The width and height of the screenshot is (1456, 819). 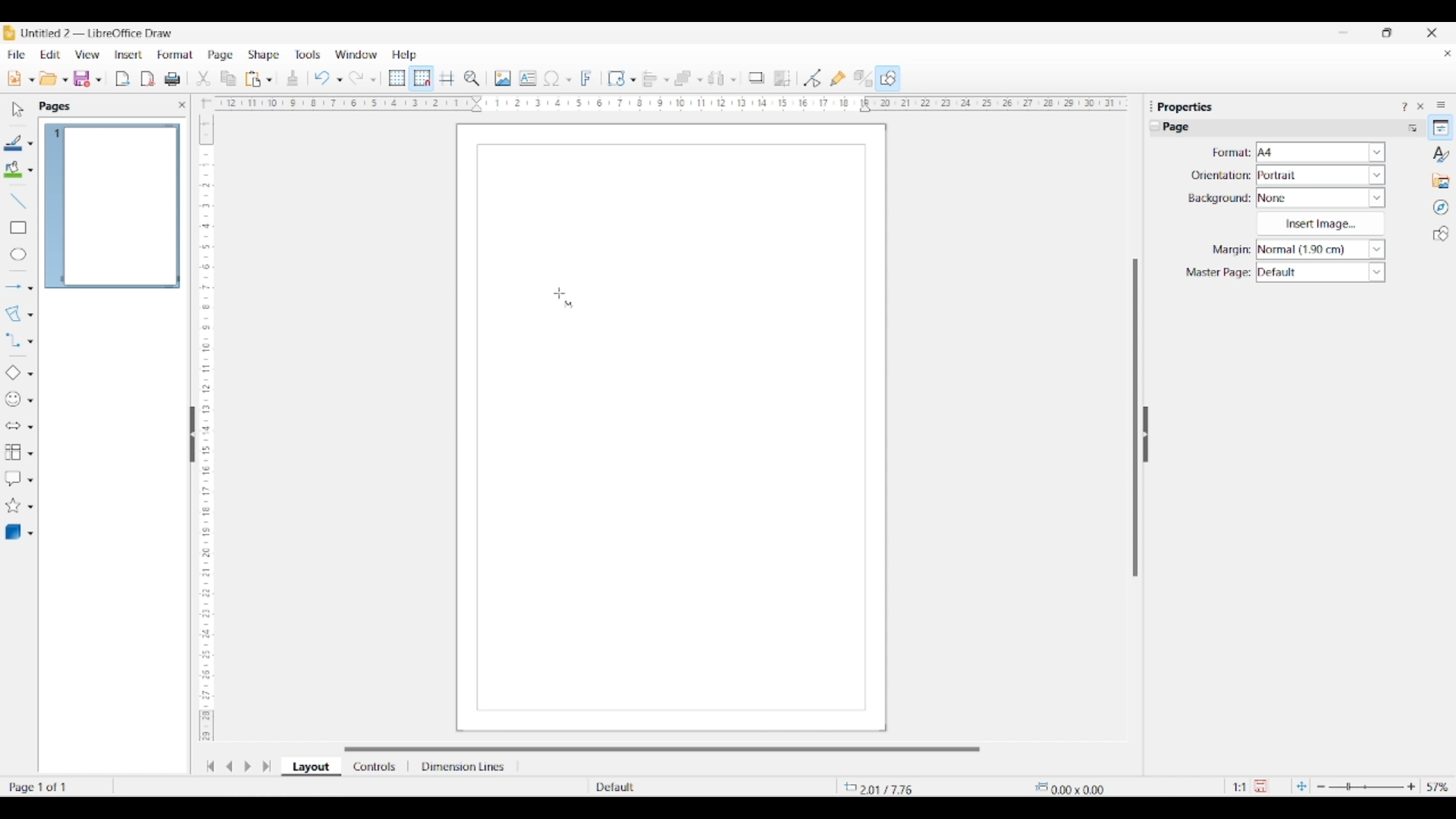 What do you see at coordinates (560, 293) in the screenshot?
I see `Cursor clicking on canvas to draw line 1 of polygon ` at bounding box center [560, 293].